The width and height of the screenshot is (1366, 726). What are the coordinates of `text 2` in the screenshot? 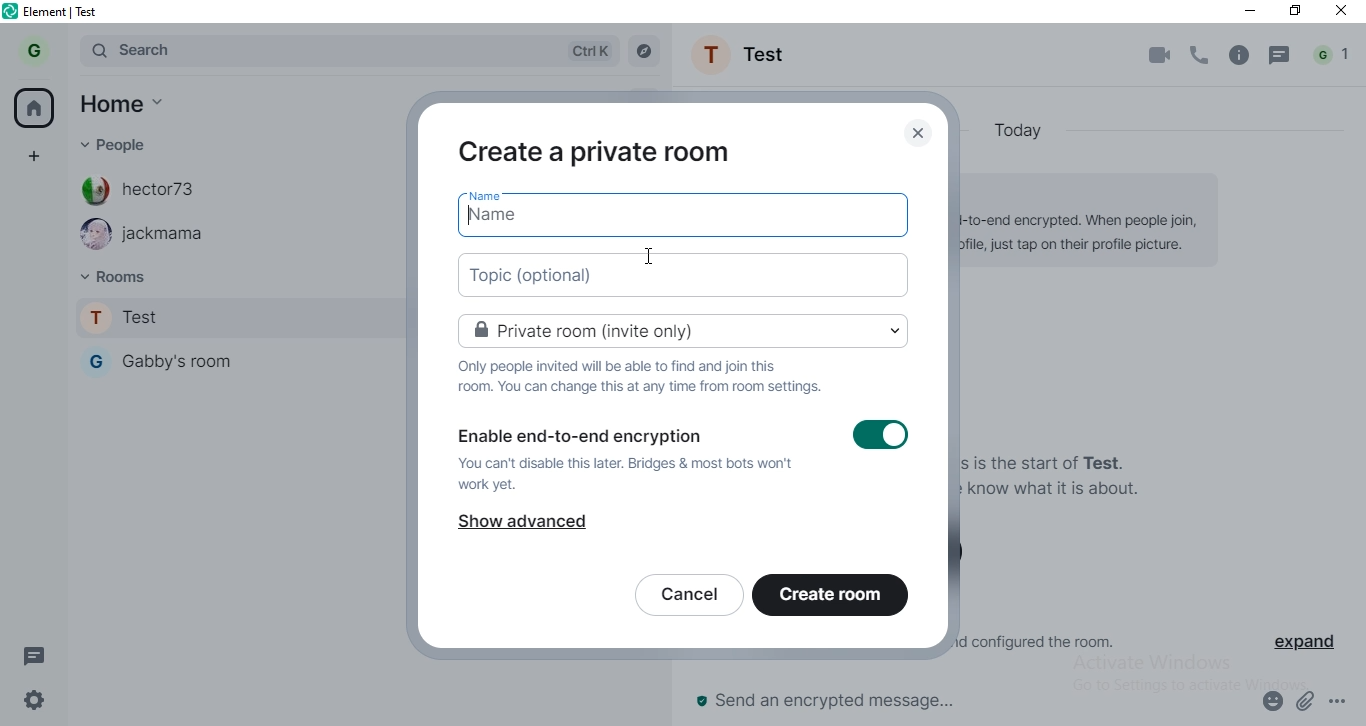 It's located at (638, 466).